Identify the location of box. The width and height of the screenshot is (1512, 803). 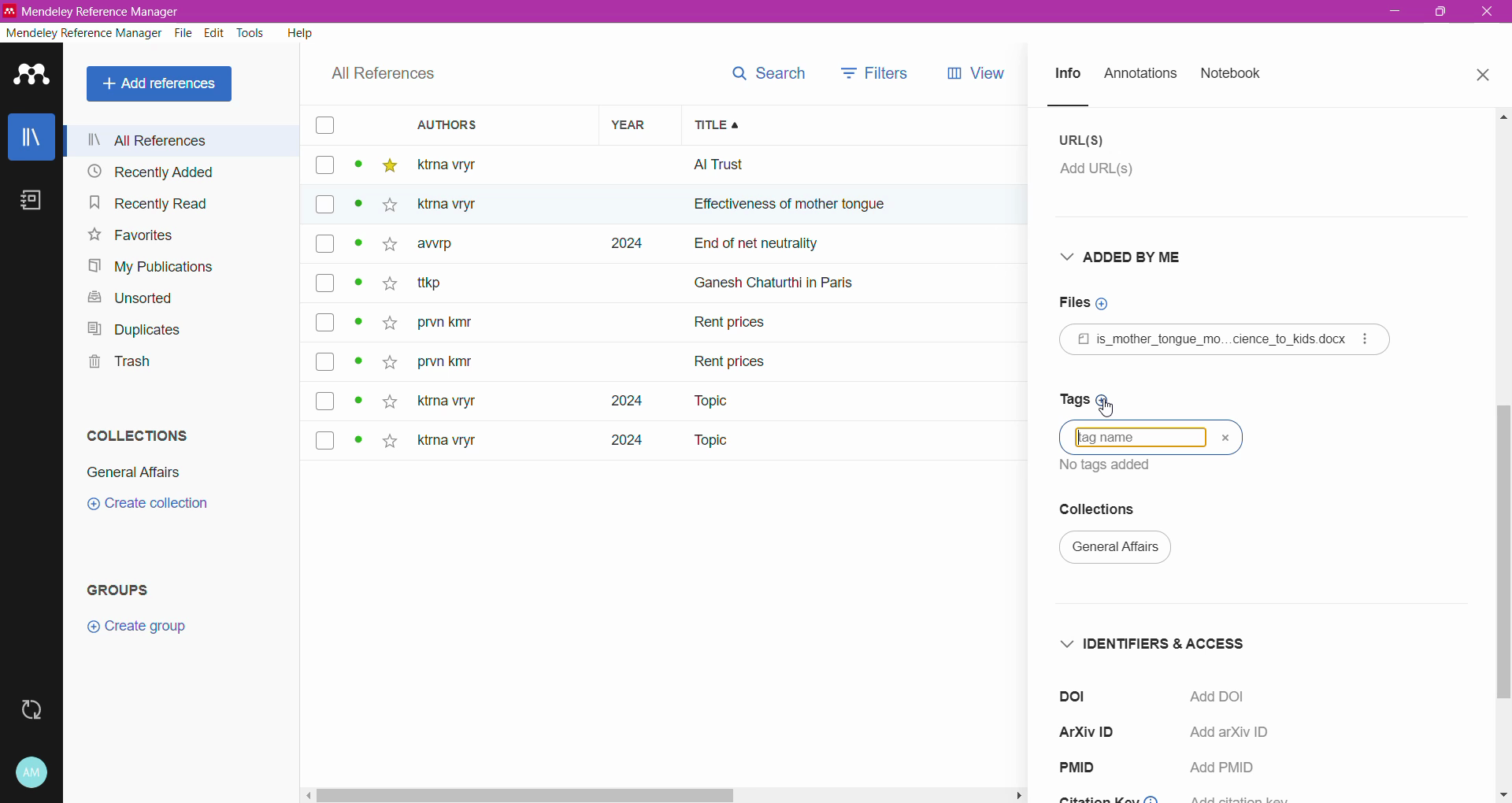
(325, 246).